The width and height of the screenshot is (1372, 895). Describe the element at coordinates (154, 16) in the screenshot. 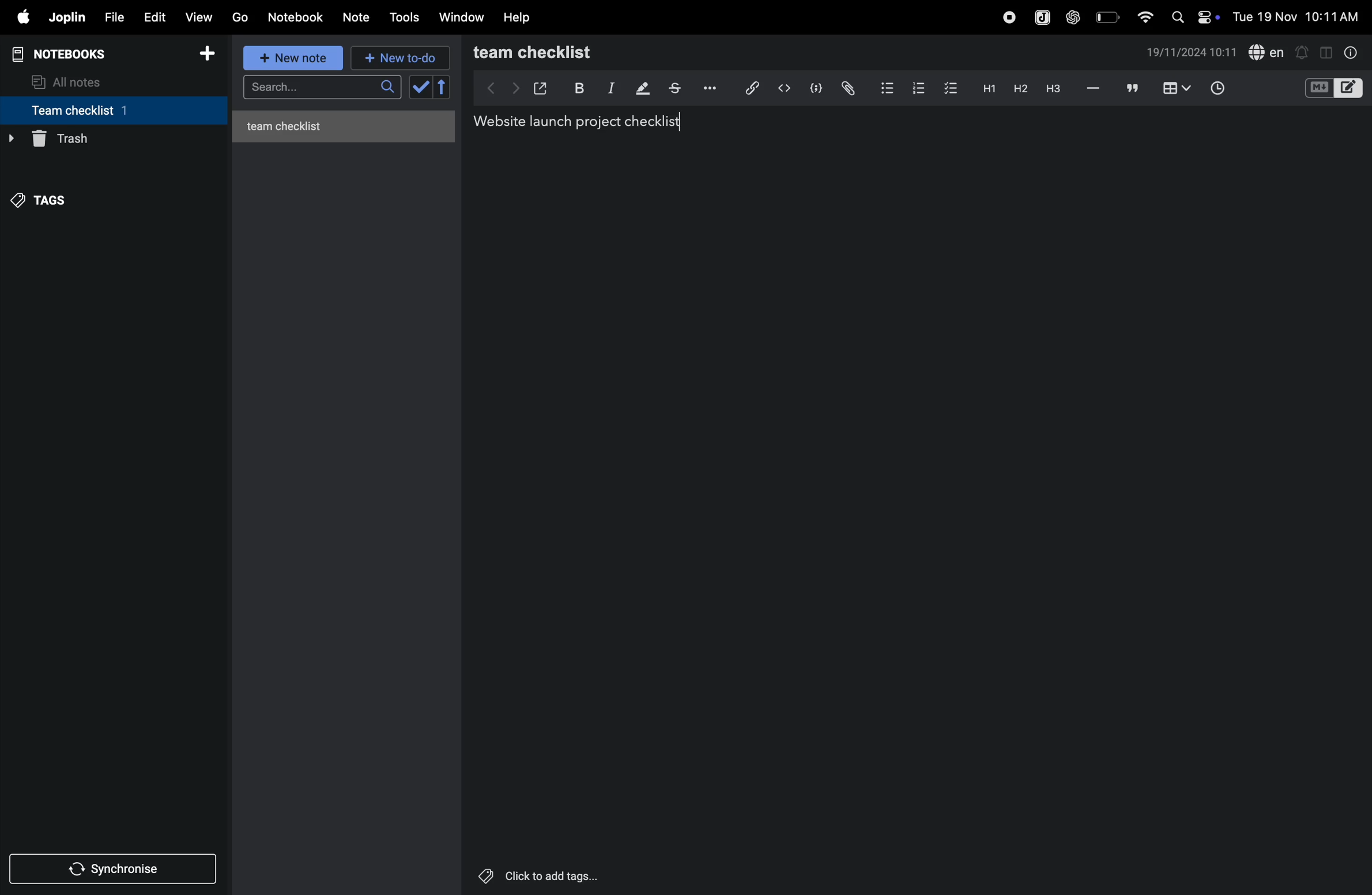

I see `edit` at that location.